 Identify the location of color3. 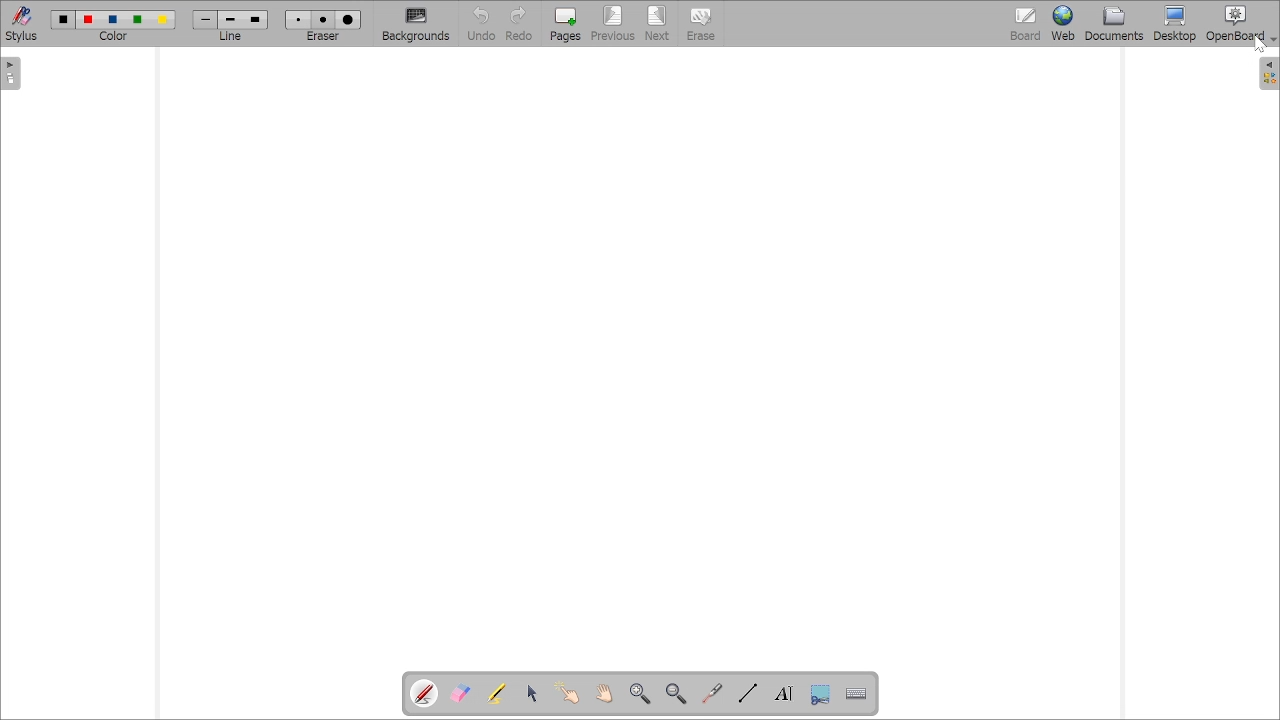
(112, 20).